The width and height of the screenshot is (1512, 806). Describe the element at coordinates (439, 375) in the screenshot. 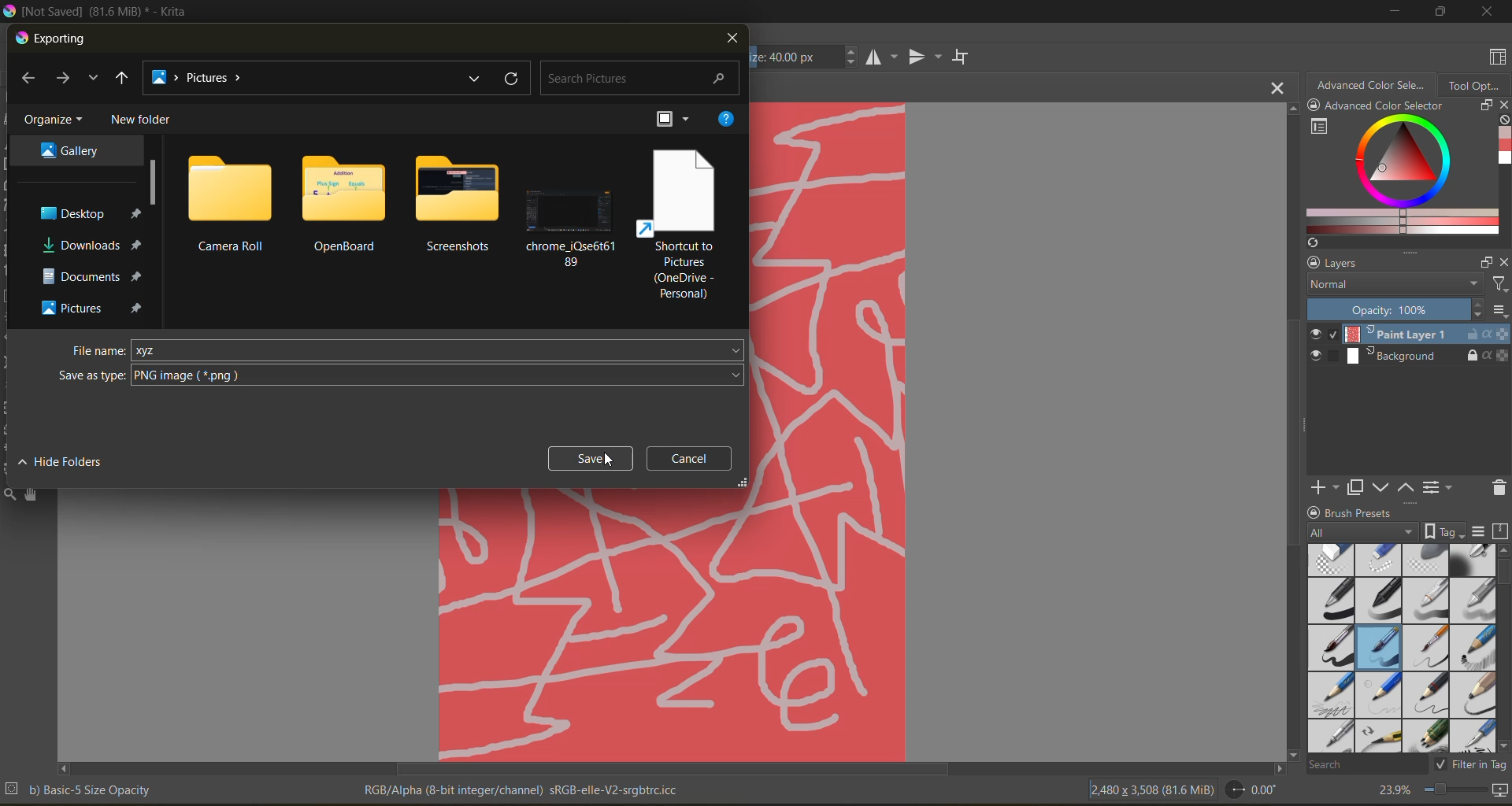

I see `save as type` at that location.